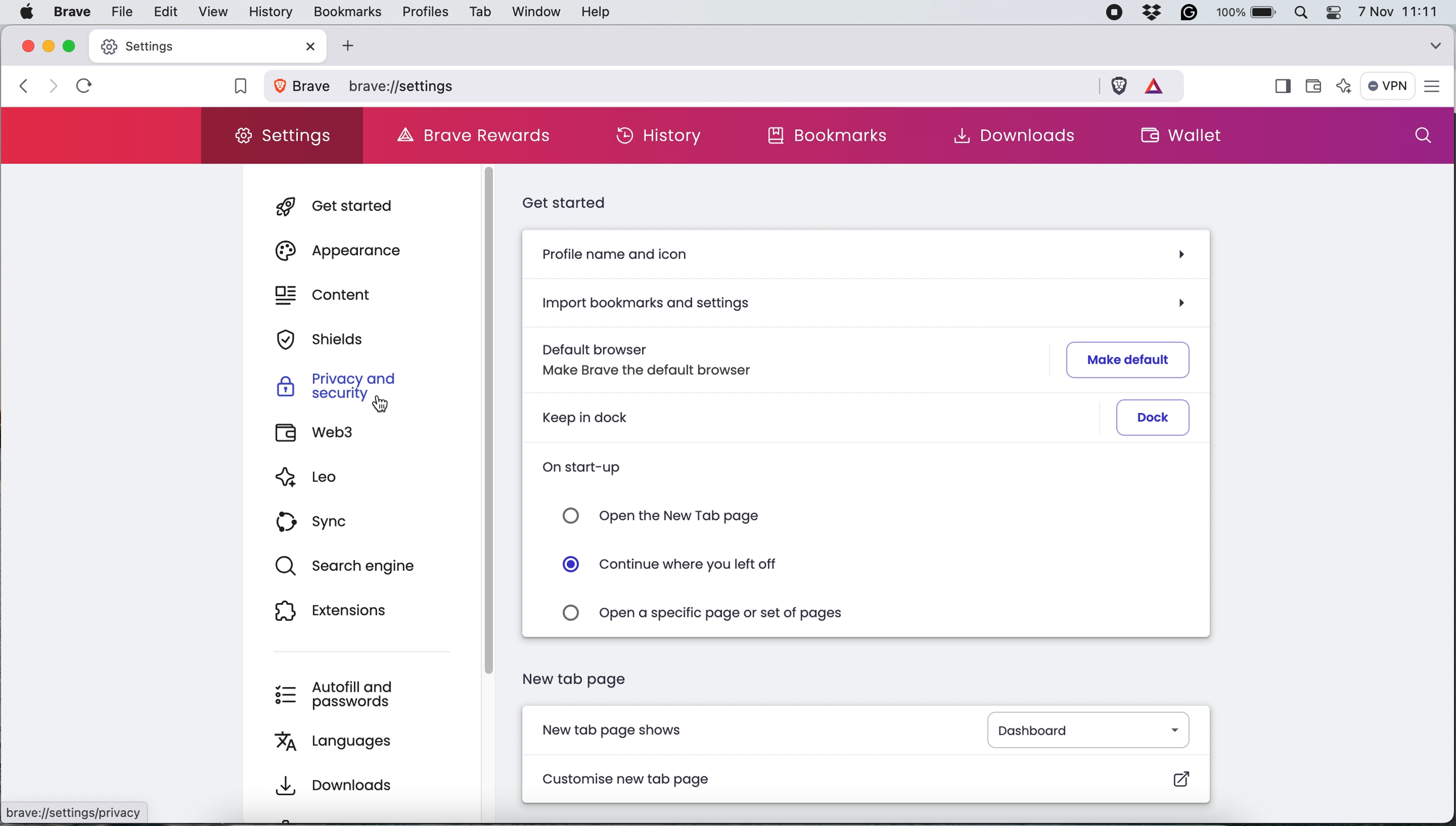 This screenshot has height=826, width=1456. What do you see at coordinates (73, 12) in the screenshot?
I see `brave` at bounding box center [73, 12].